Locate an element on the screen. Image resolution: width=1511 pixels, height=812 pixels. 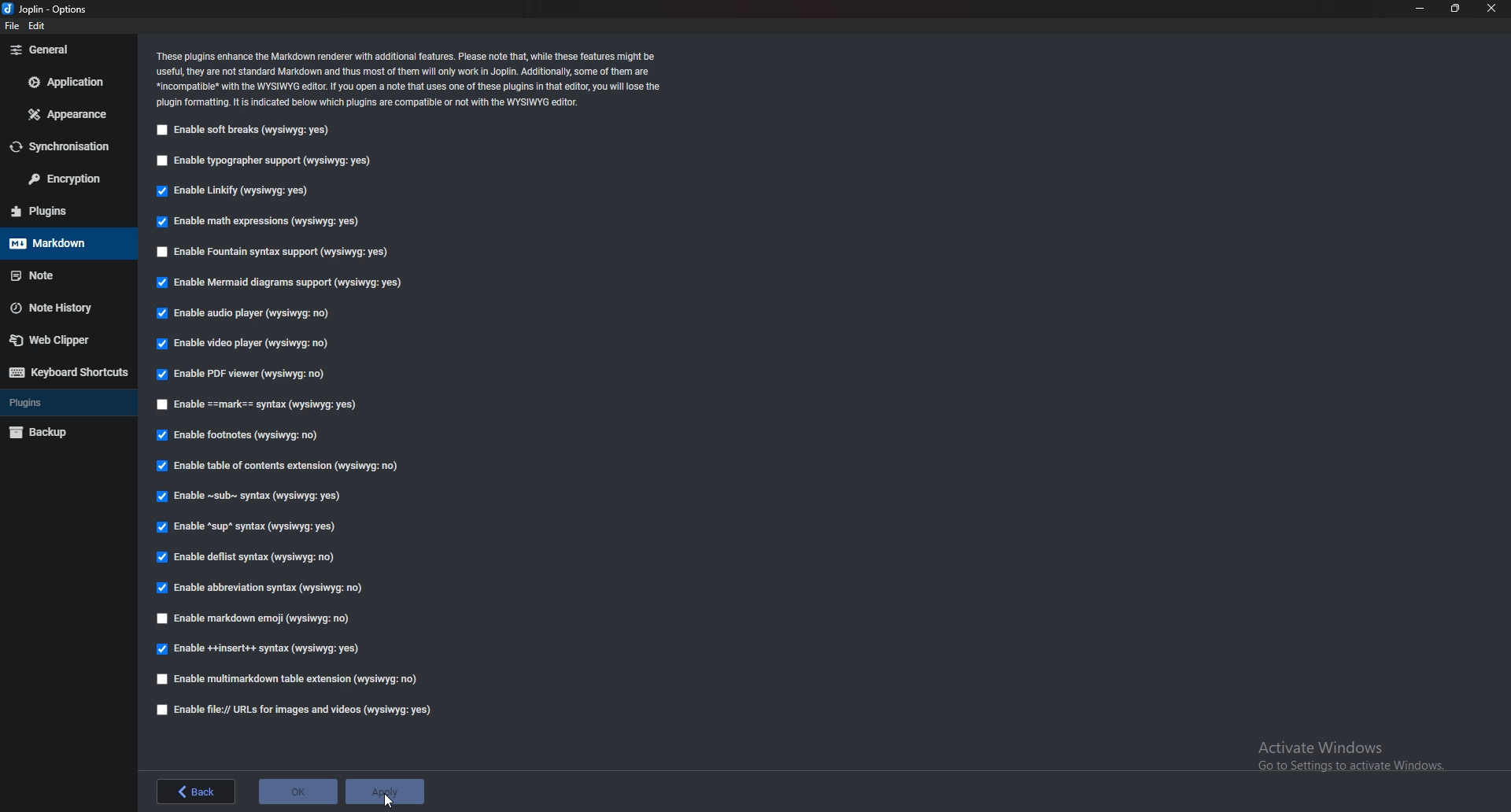
Enable video player is located at coordinates (243, 343).